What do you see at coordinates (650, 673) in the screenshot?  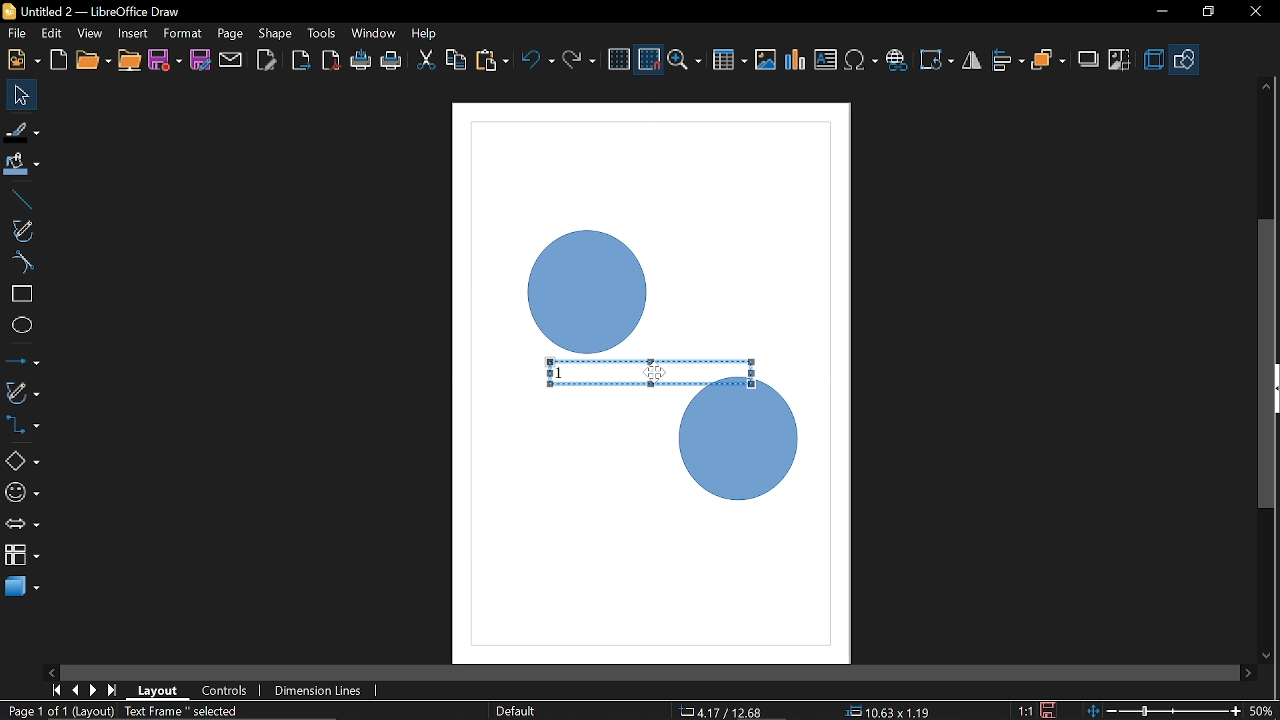 I see `Horizontal scrollbar` at bounding box center [650, 673].